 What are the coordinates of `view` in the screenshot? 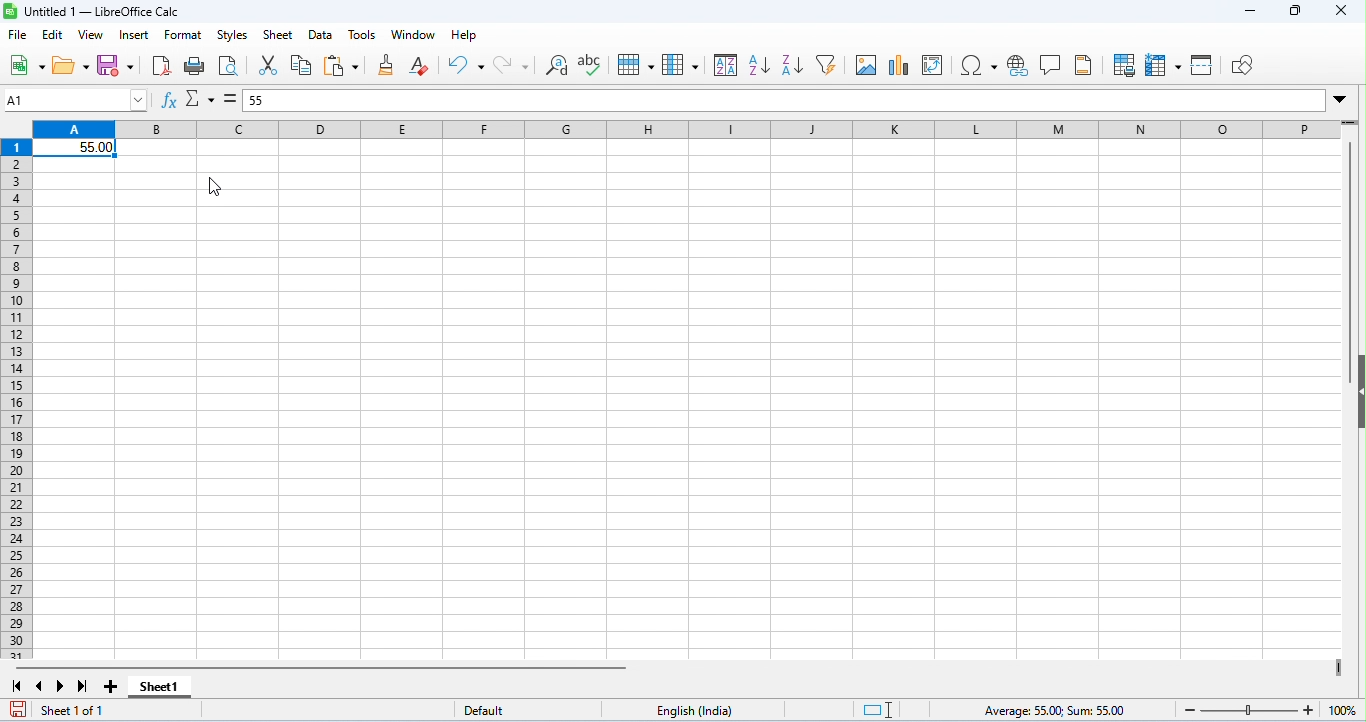 It's located at (91, 35).